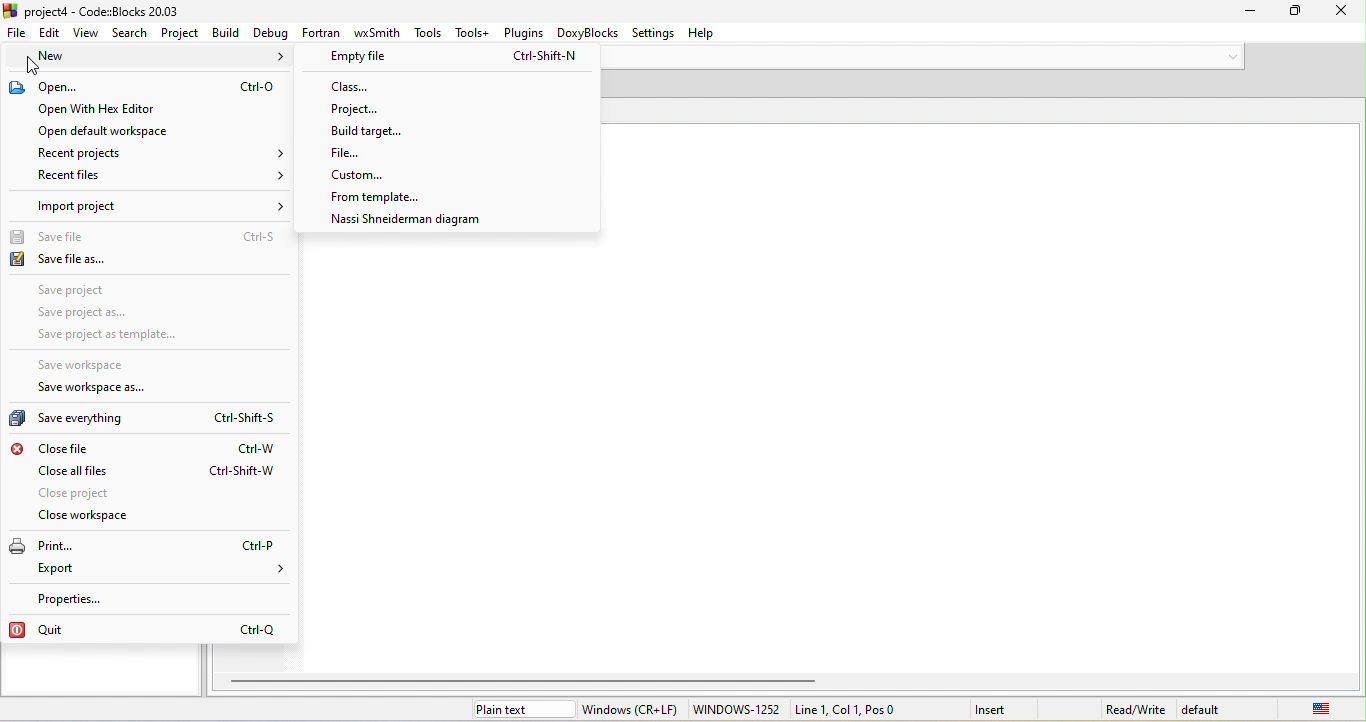 The height and width of the screenshot is (722, 1366). Describe the element at coordinates (396, 197) in the screenshot. I see `from templete` at that location.